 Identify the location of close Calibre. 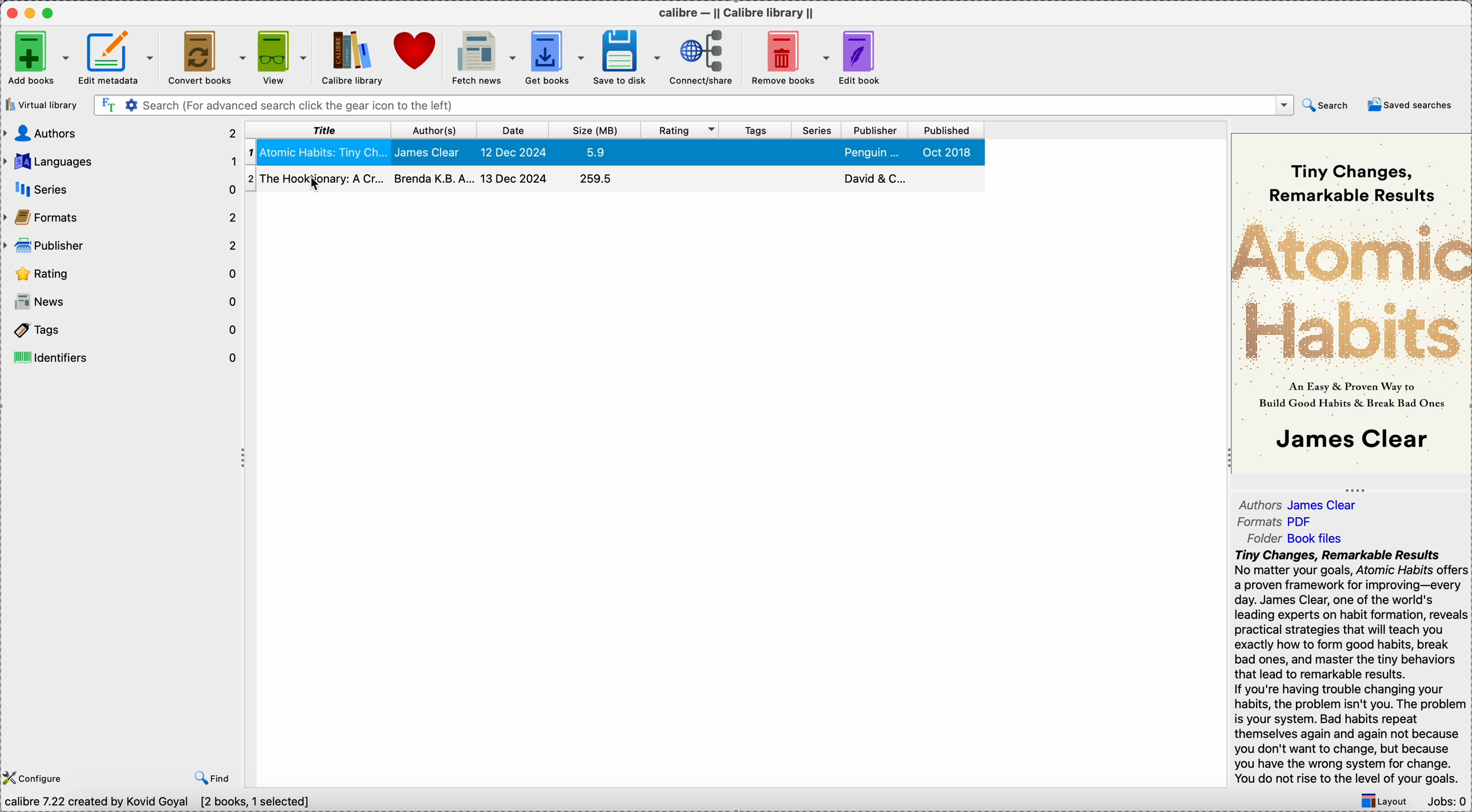
(11, 11).